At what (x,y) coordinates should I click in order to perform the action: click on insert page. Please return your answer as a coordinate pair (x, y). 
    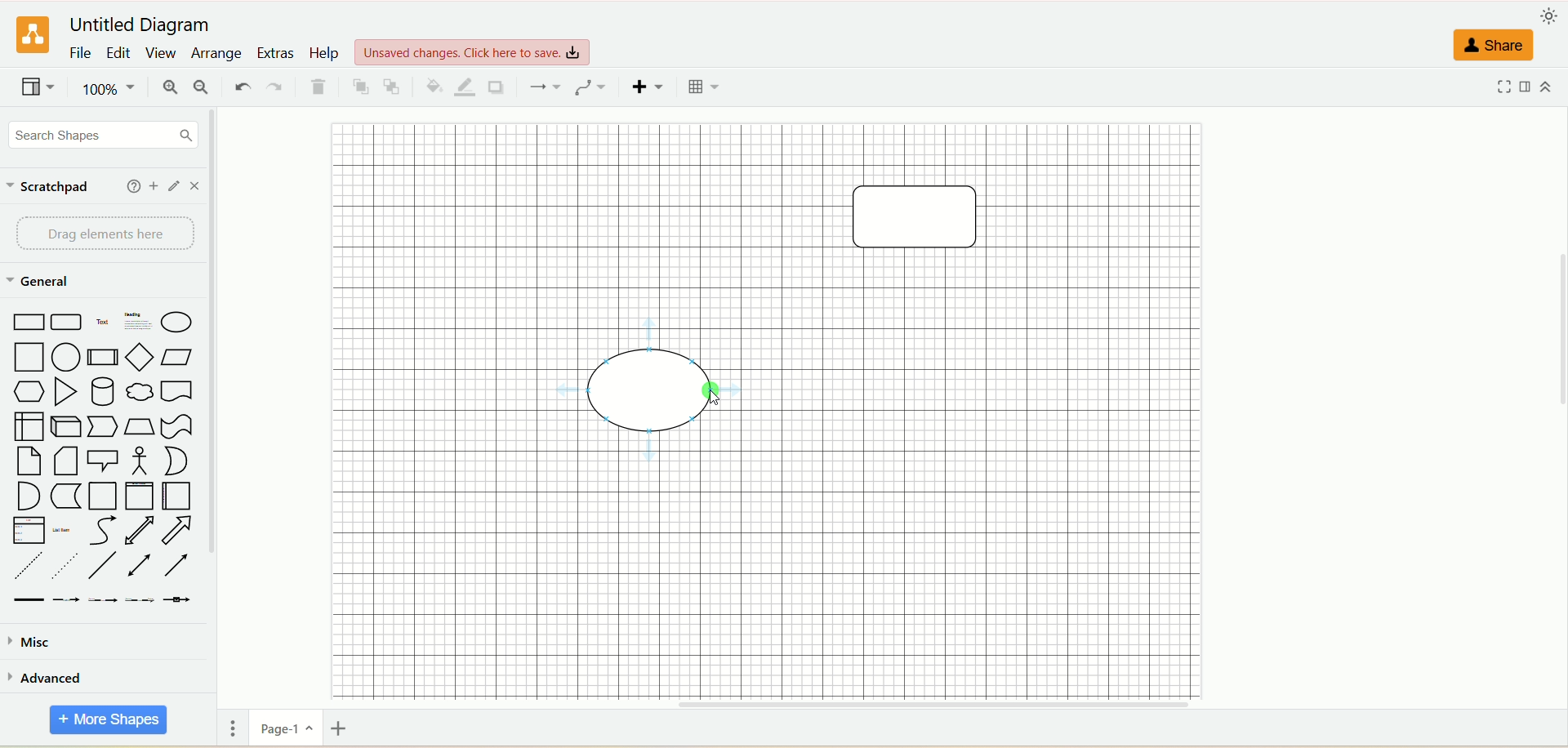
    Looking at the image, I should click on (345, 731).